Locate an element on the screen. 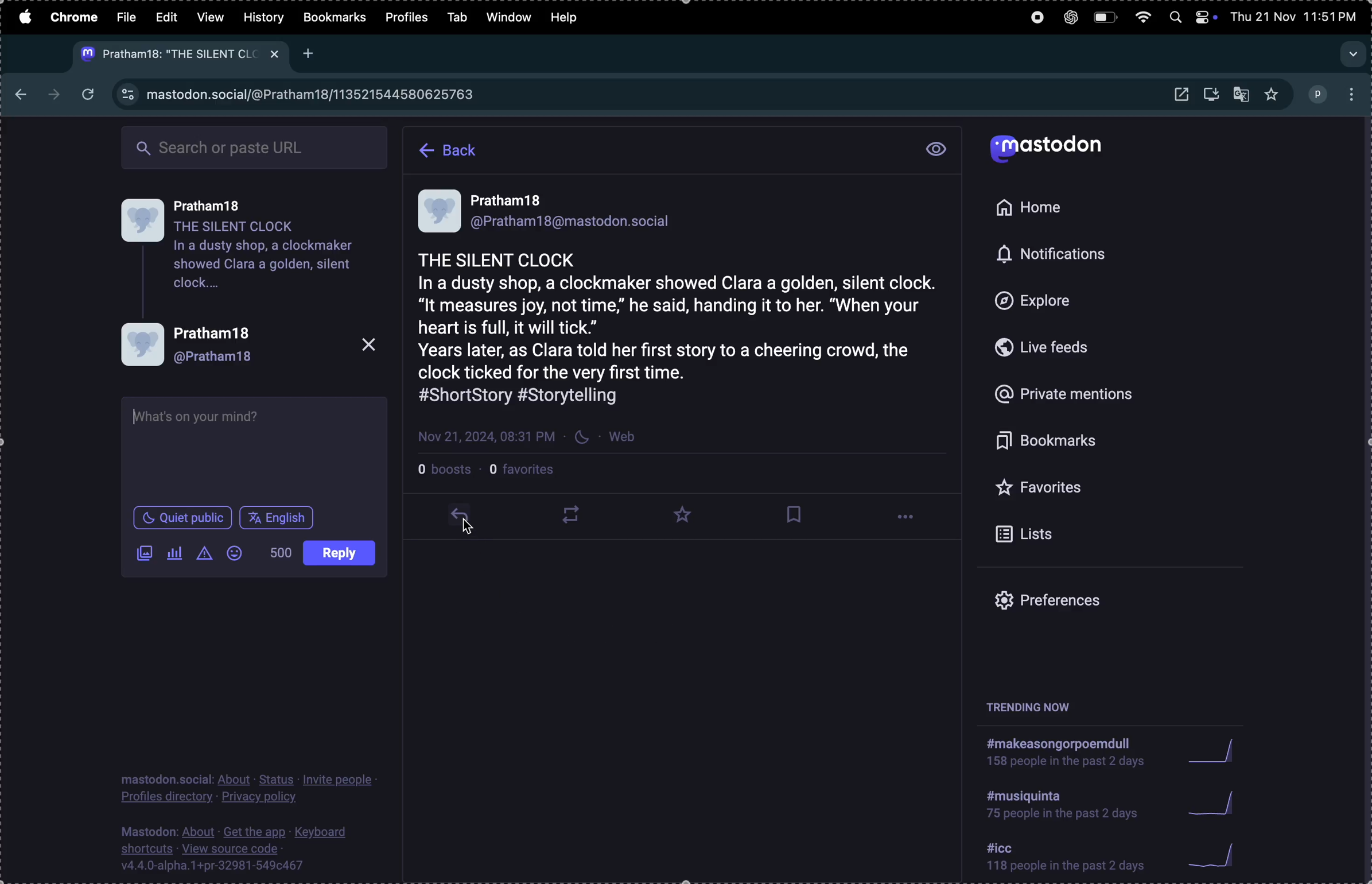 This screenshot has height=884, width=1372. no of words is located at coordinates (278, 555).